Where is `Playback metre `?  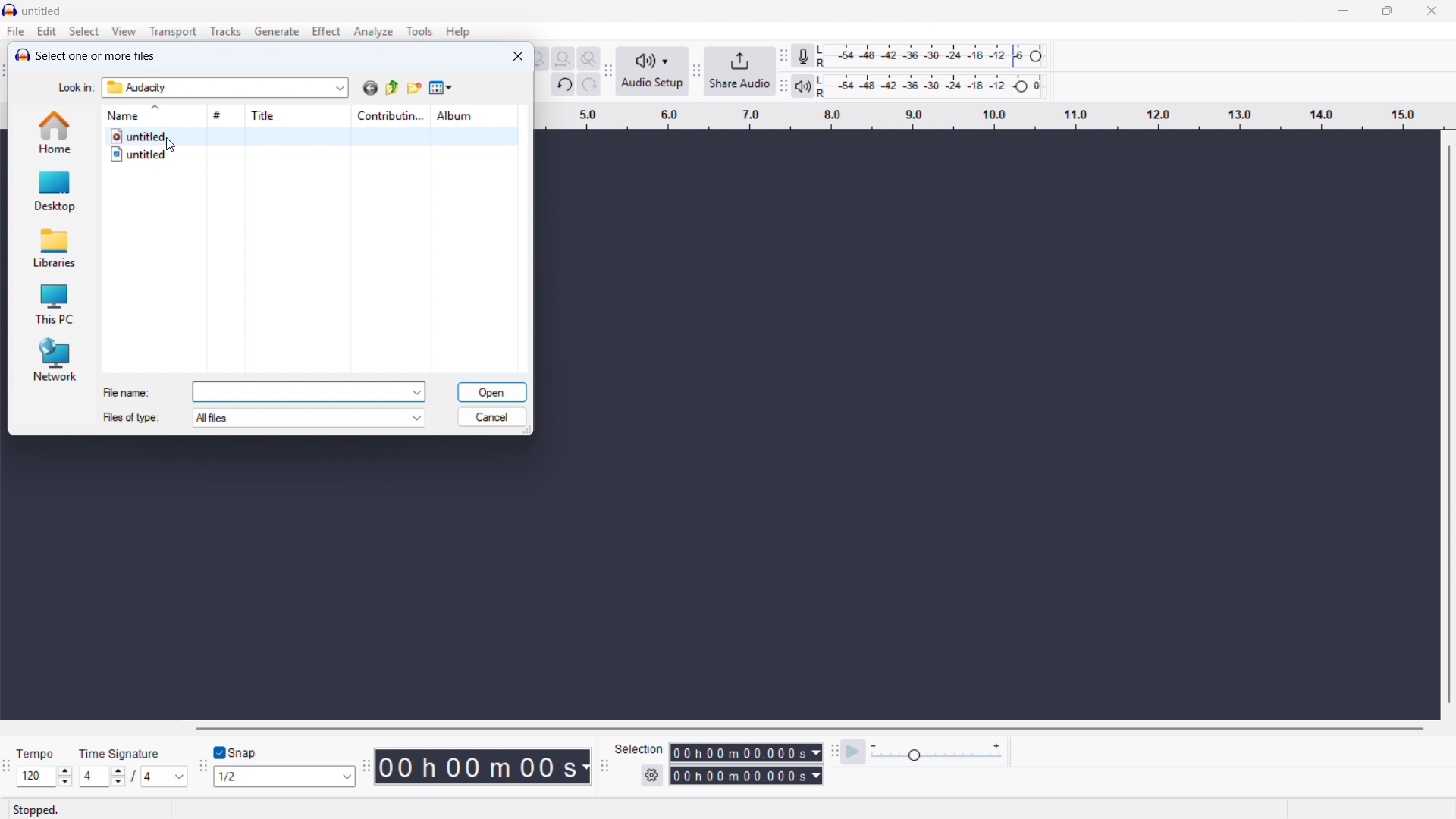 Playback metre  is located at coordinates (803, 87).